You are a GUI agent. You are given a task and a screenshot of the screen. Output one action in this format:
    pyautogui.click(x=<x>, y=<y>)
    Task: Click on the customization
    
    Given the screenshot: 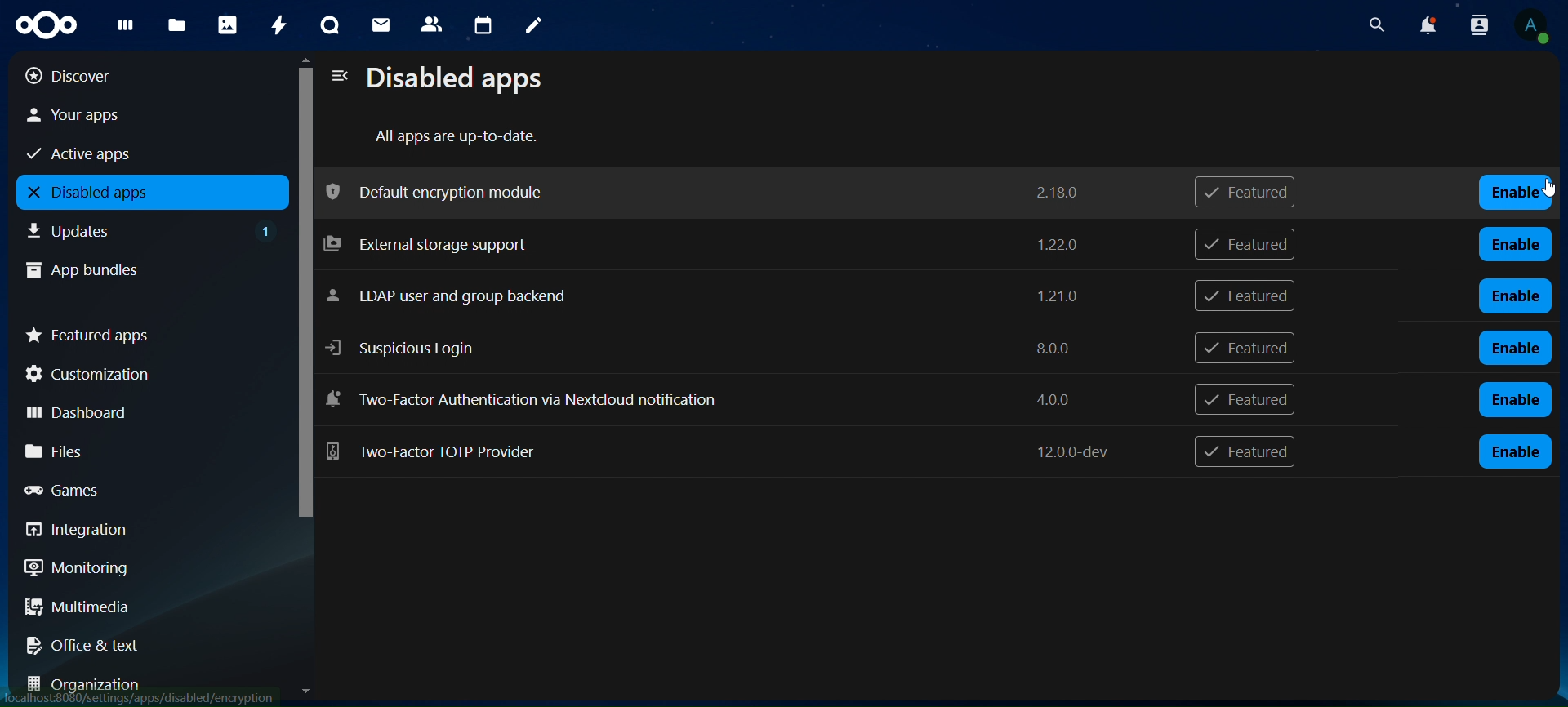 What is the action you would take?
    pyautogui.click(x=145, y=374)
    